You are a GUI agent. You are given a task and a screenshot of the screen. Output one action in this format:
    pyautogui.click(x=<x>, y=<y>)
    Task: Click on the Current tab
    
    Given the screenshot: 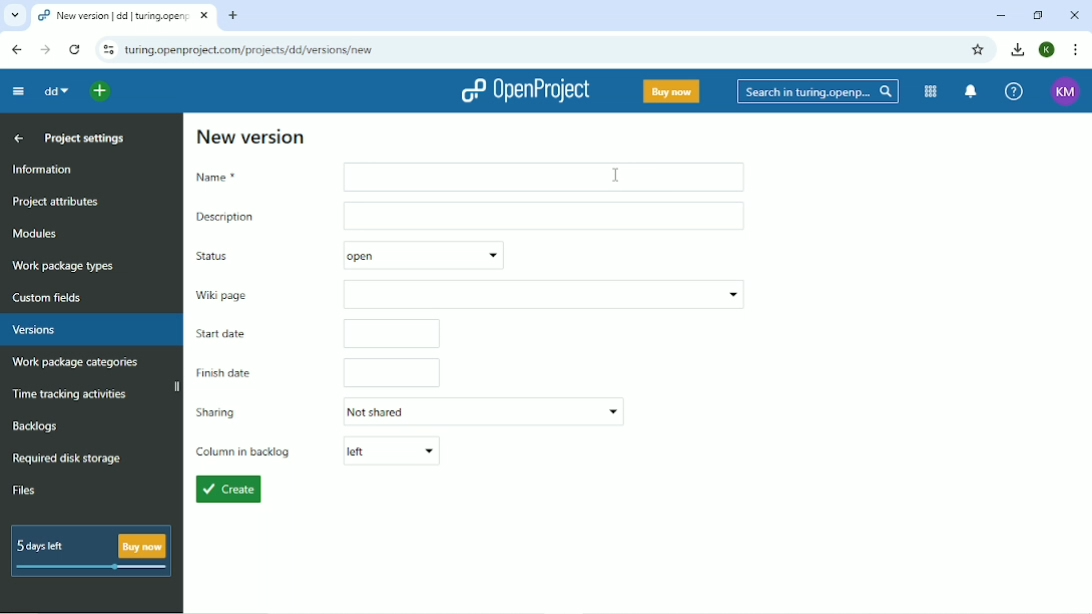 What is the action you would take?
    pyautogui.click(x=124, y=14)
    